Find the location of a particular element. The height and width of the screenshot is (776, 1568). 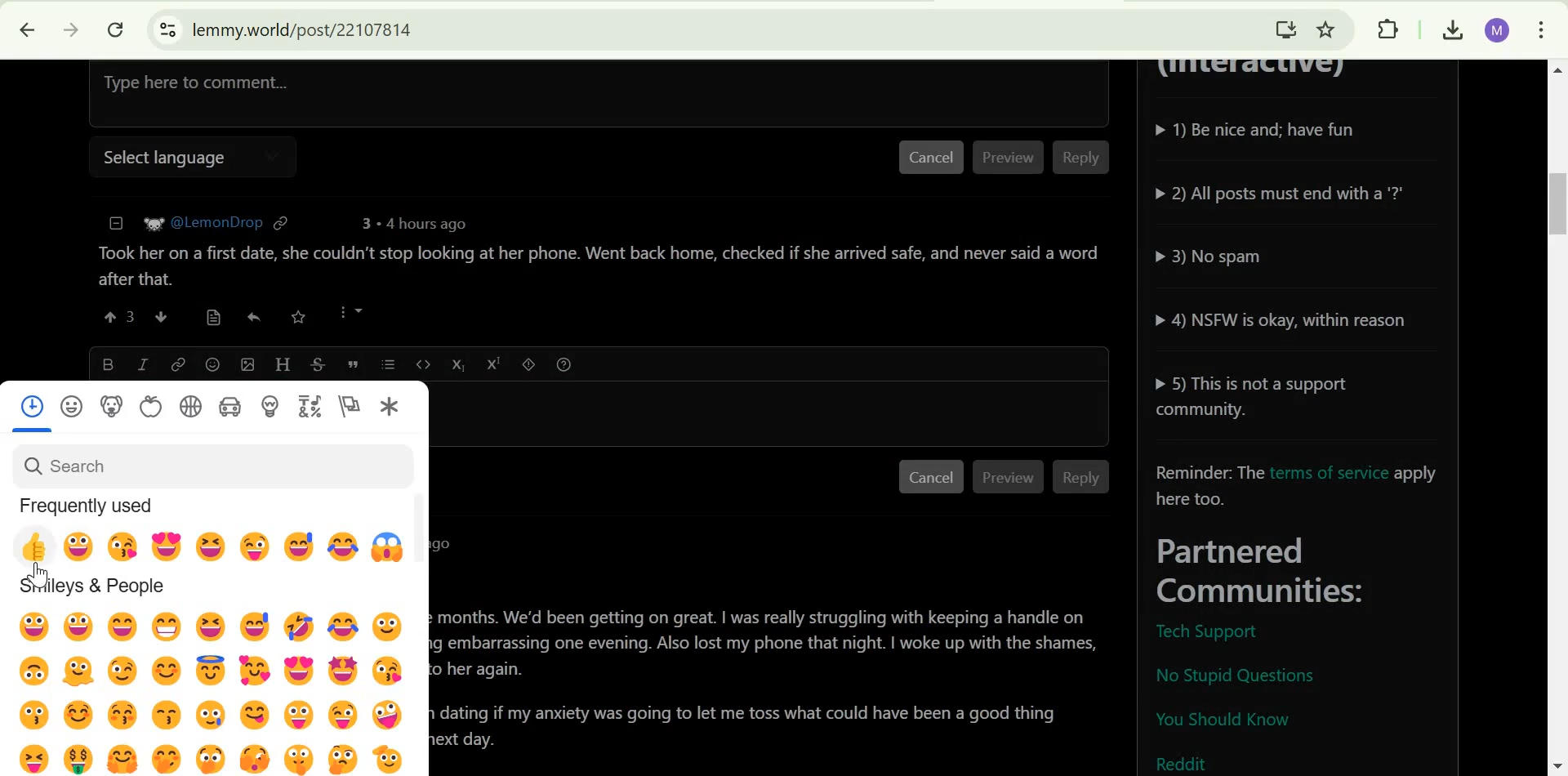

Header is located at coordinates (282, 363).